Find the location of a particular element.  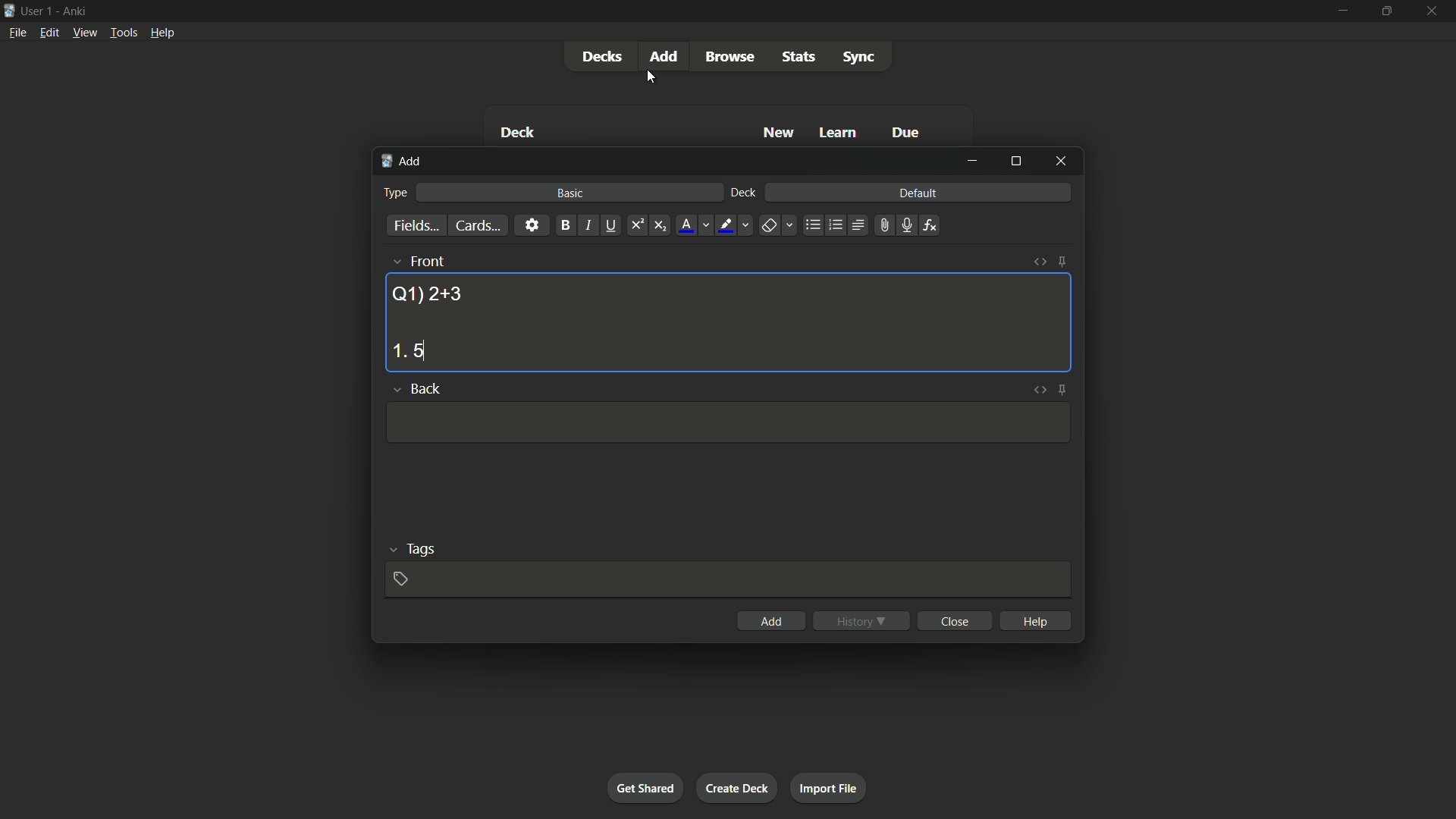

underline is located at coordinates (610, 225).